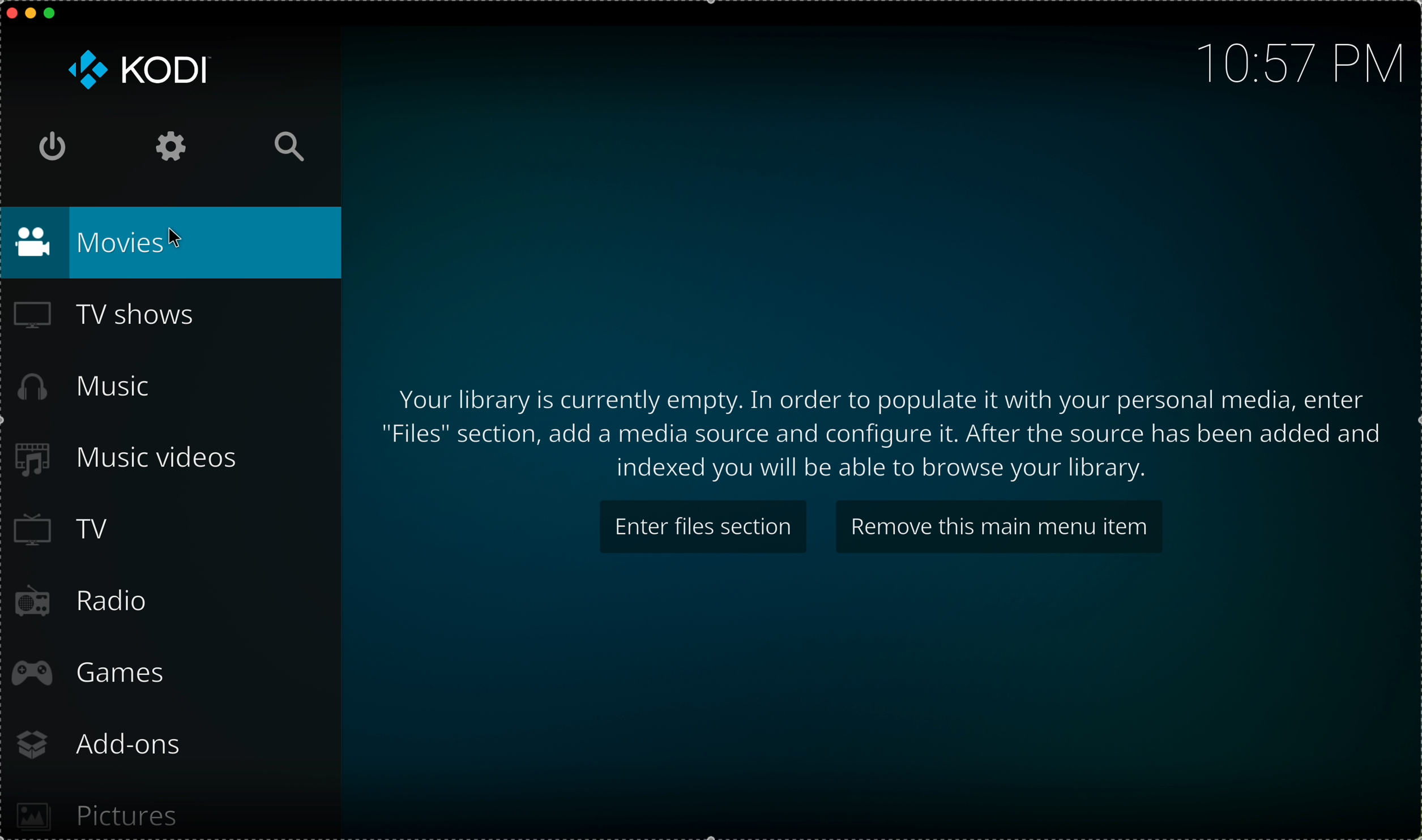 The width and height of the screenshot is (1422, 840). What do you see at coordinates (93, 674) in the screenshot?
I see `games` at bounding box center [93, 674].